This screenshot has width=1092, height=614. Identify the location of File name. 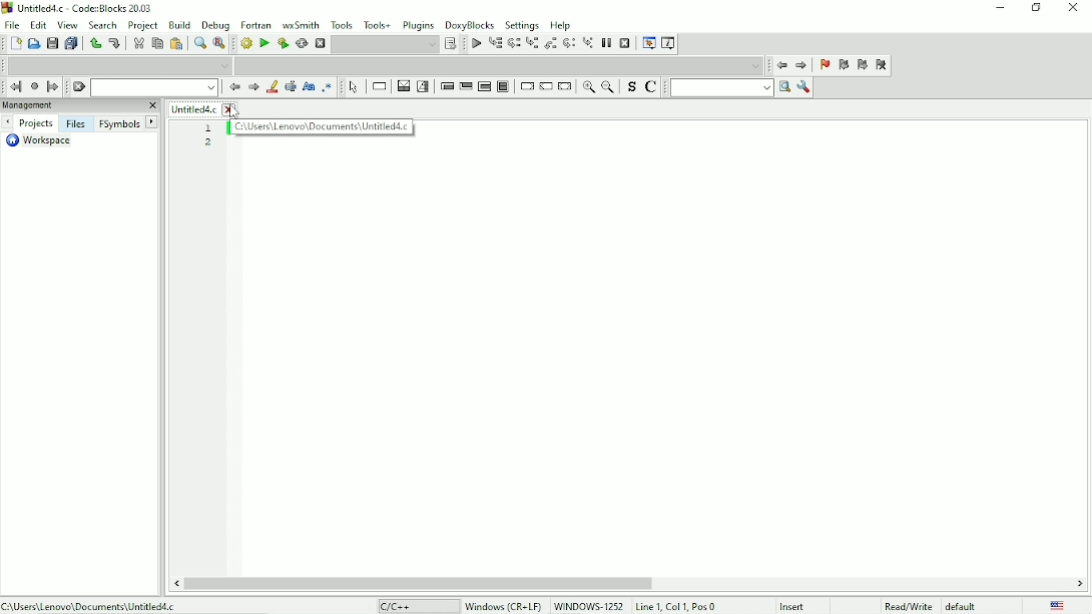
(203, 109).